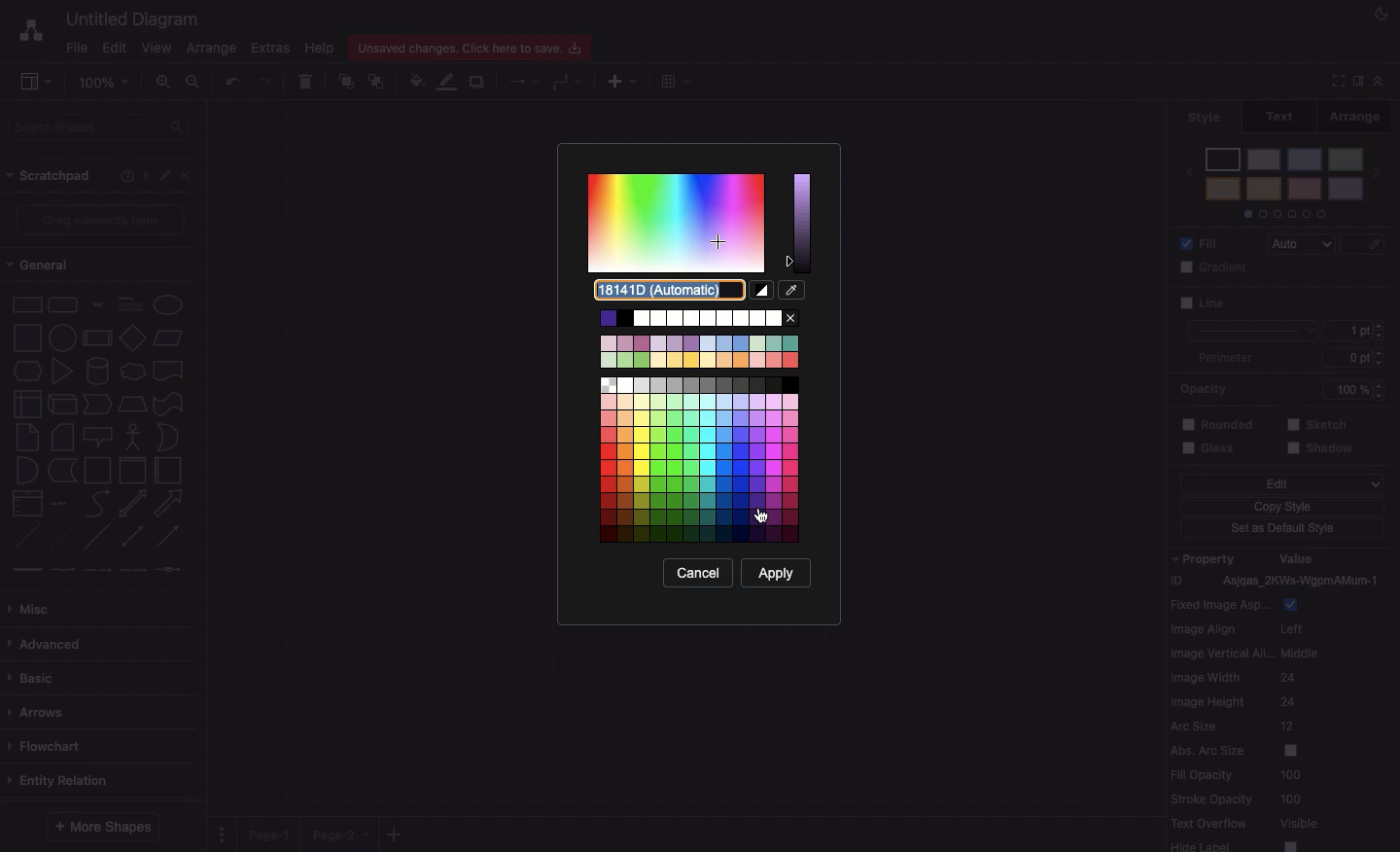  Describe the element at coordinates (395, 834) in the screenshot. I see `Add` at that location.